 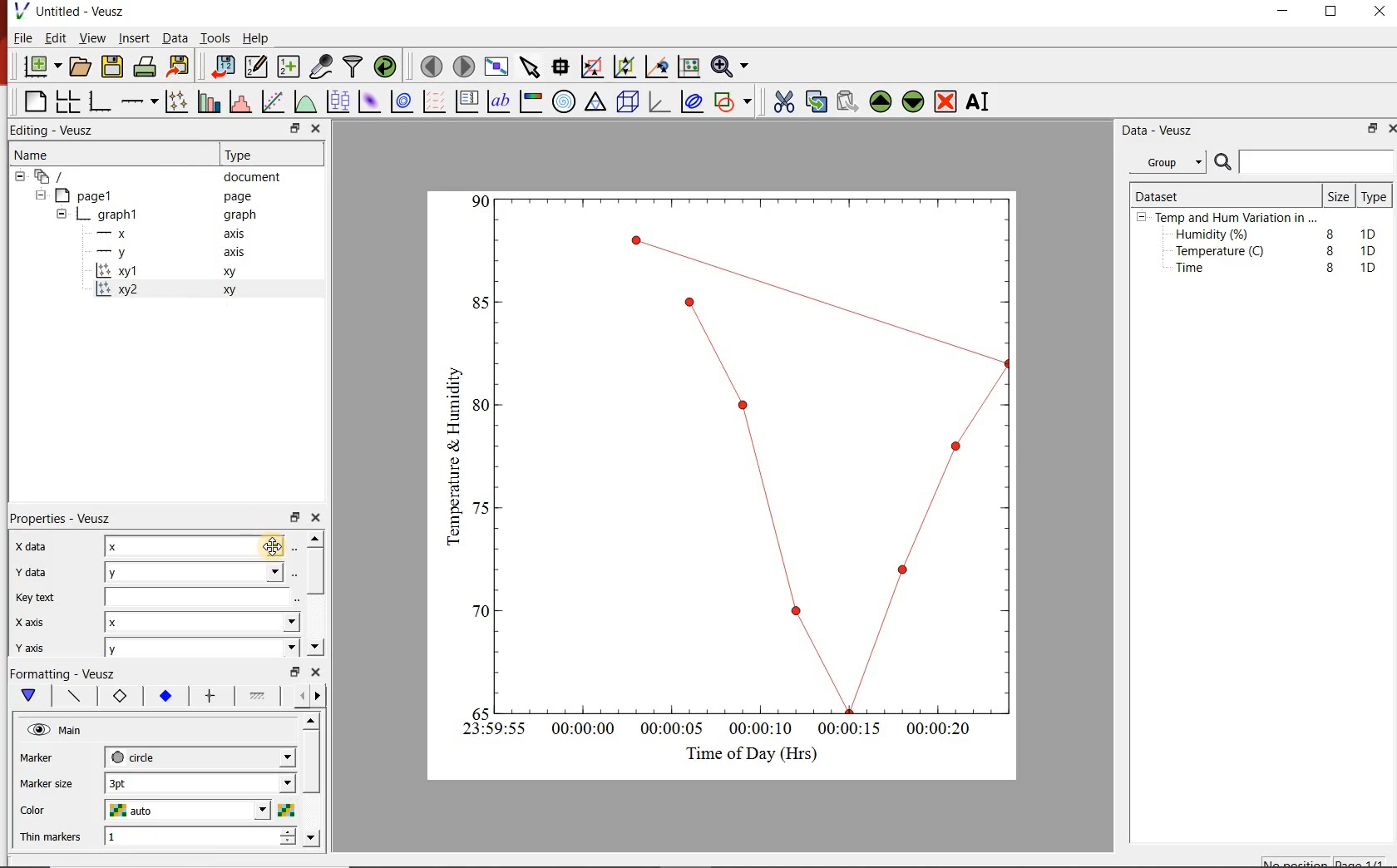 I want to click on Color, so click(x=52, y=811).